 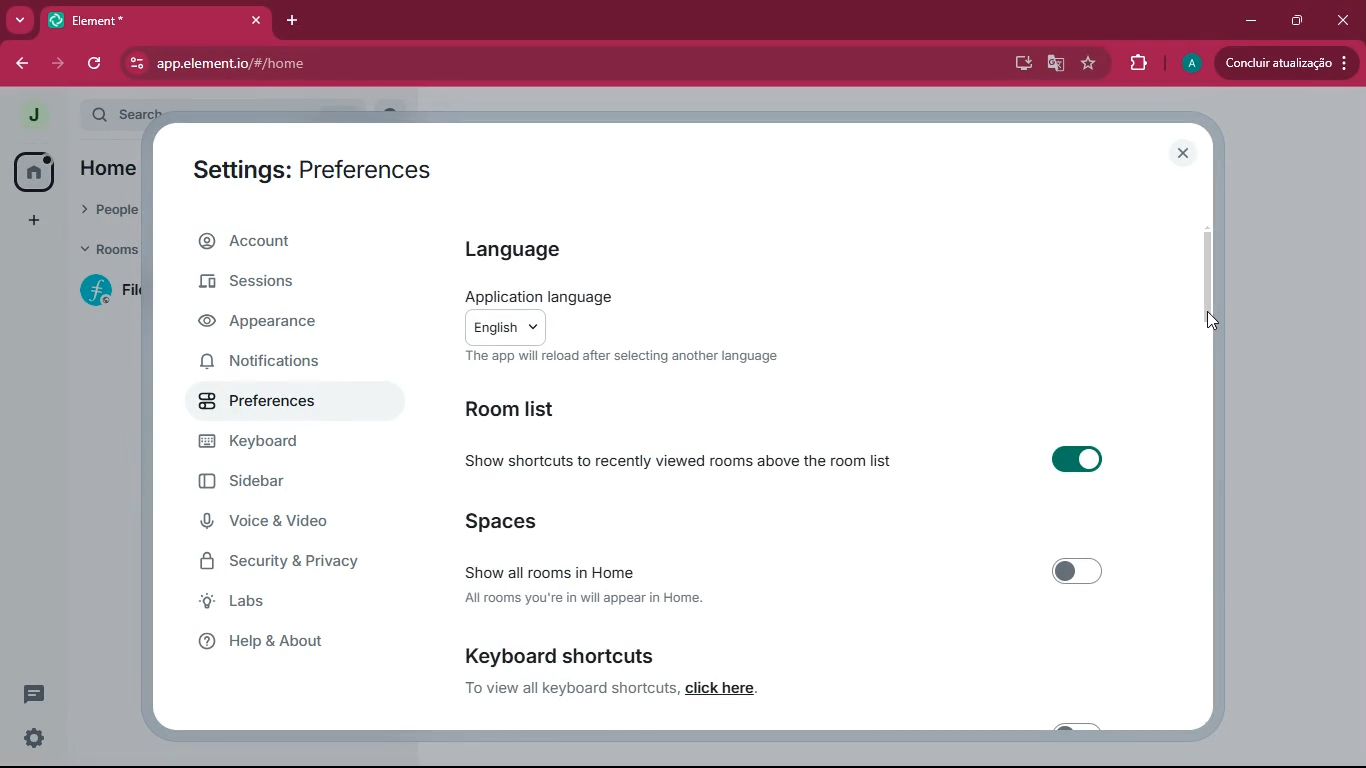 What do you see at coordinates (803, 461) in the screenshot?
I see `show shortcuts` at bounding box center [803, 461].